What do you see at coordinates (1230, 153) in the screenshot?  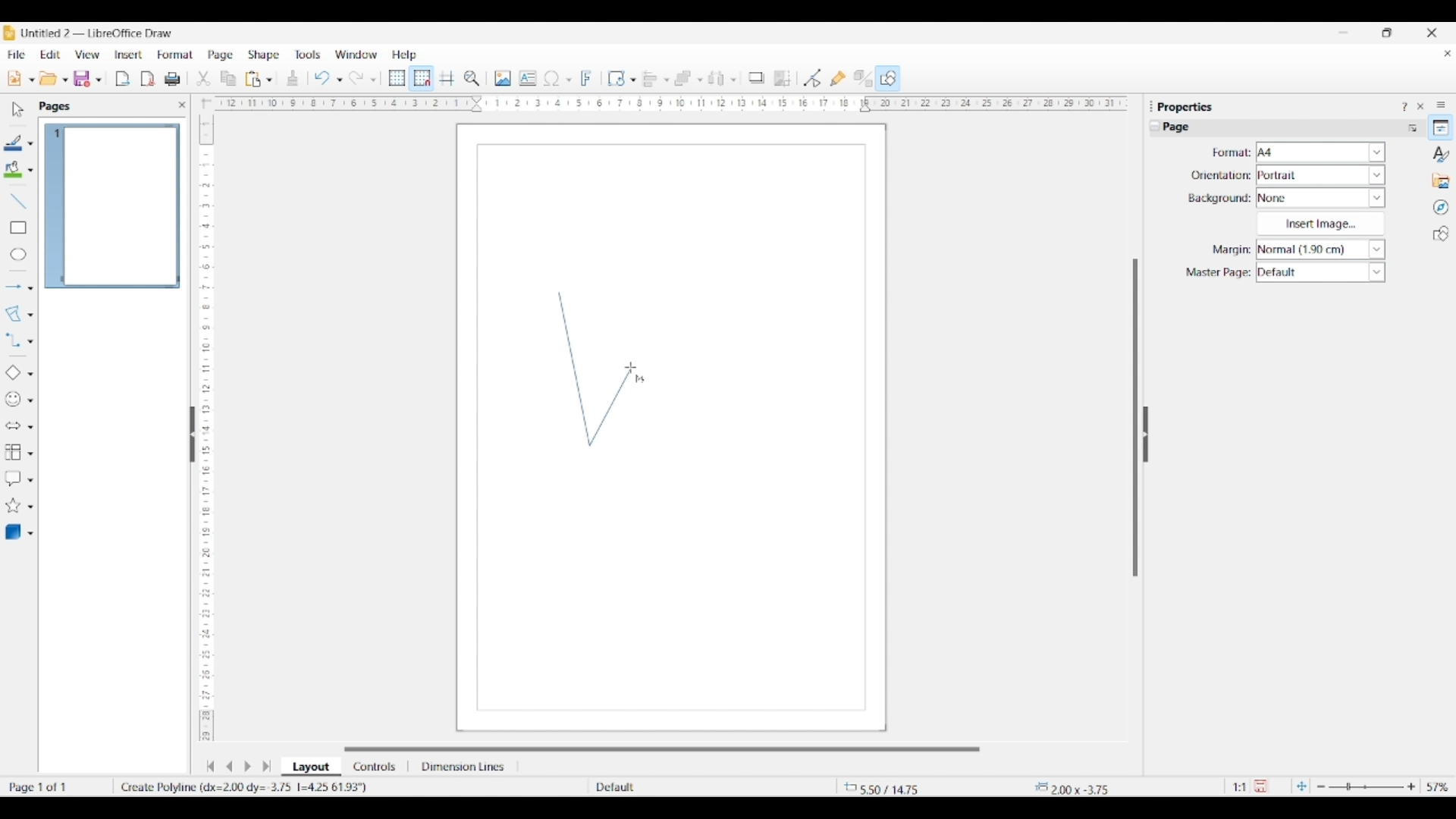 I see `Indicates format settings` at bounding box center [1230, 153].